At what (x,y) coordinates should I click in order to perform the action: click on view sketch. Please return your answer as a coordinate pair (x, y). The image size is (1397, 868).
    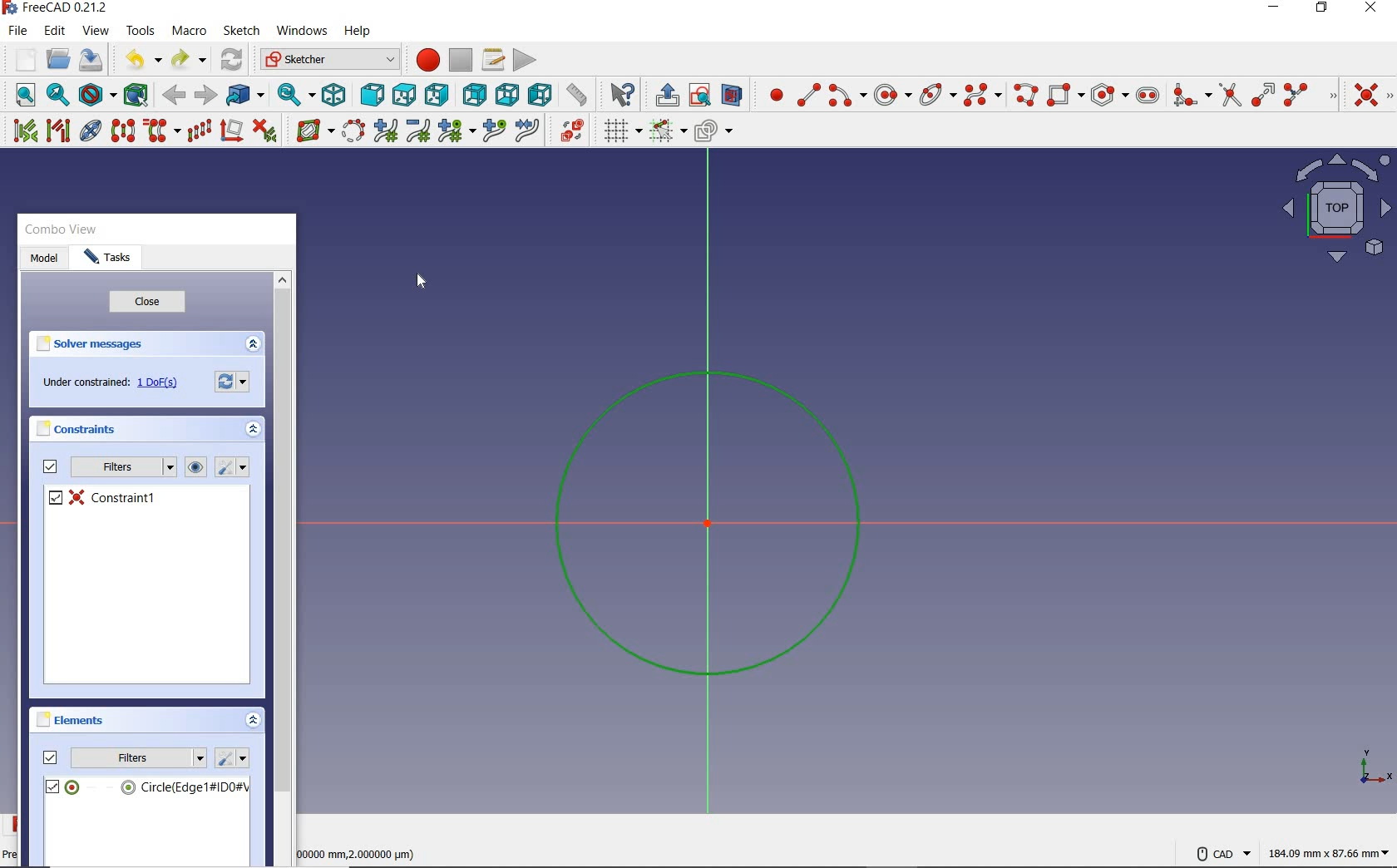
    Looking at the image, I should click on (698, 93).